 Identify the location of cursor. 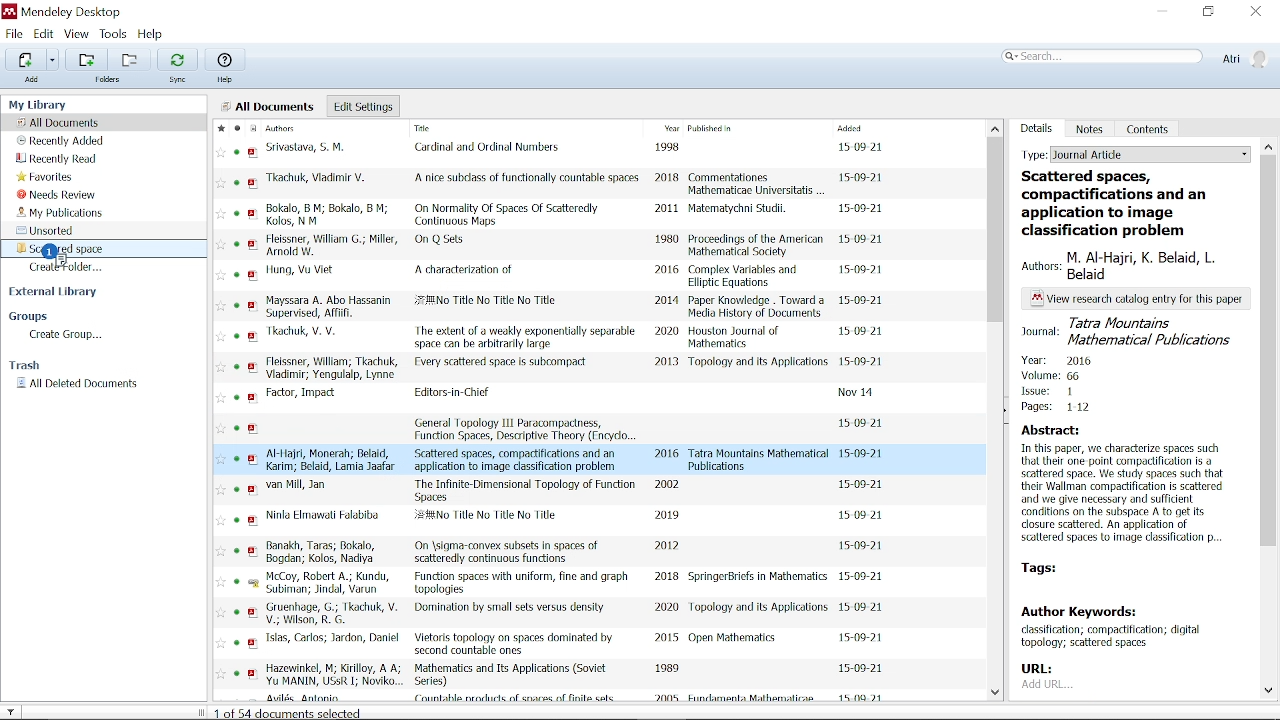
(53, 251).